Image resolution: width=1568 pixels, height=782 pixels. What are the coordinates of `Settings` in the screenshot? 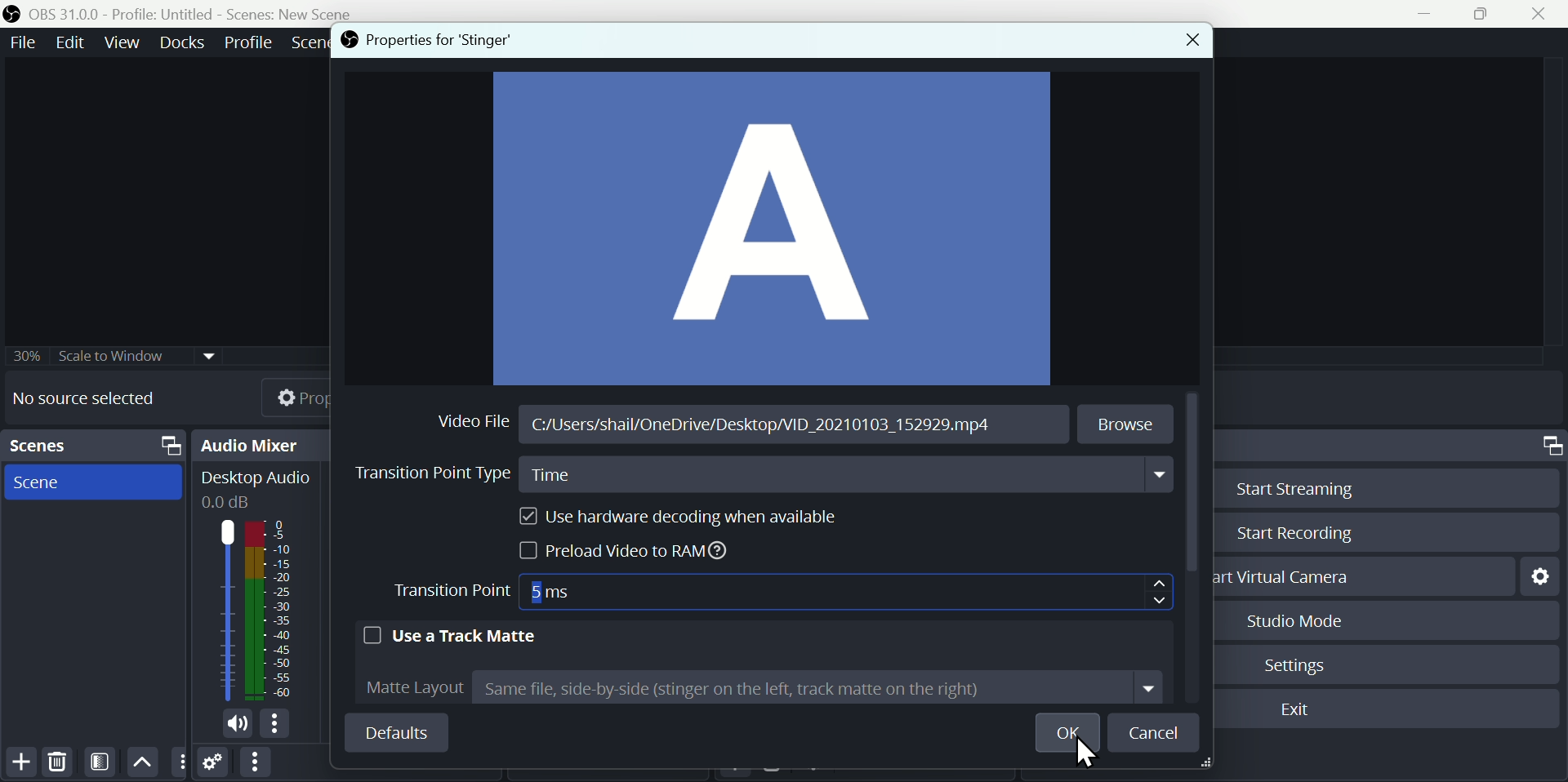 It's located at (1301, 663).